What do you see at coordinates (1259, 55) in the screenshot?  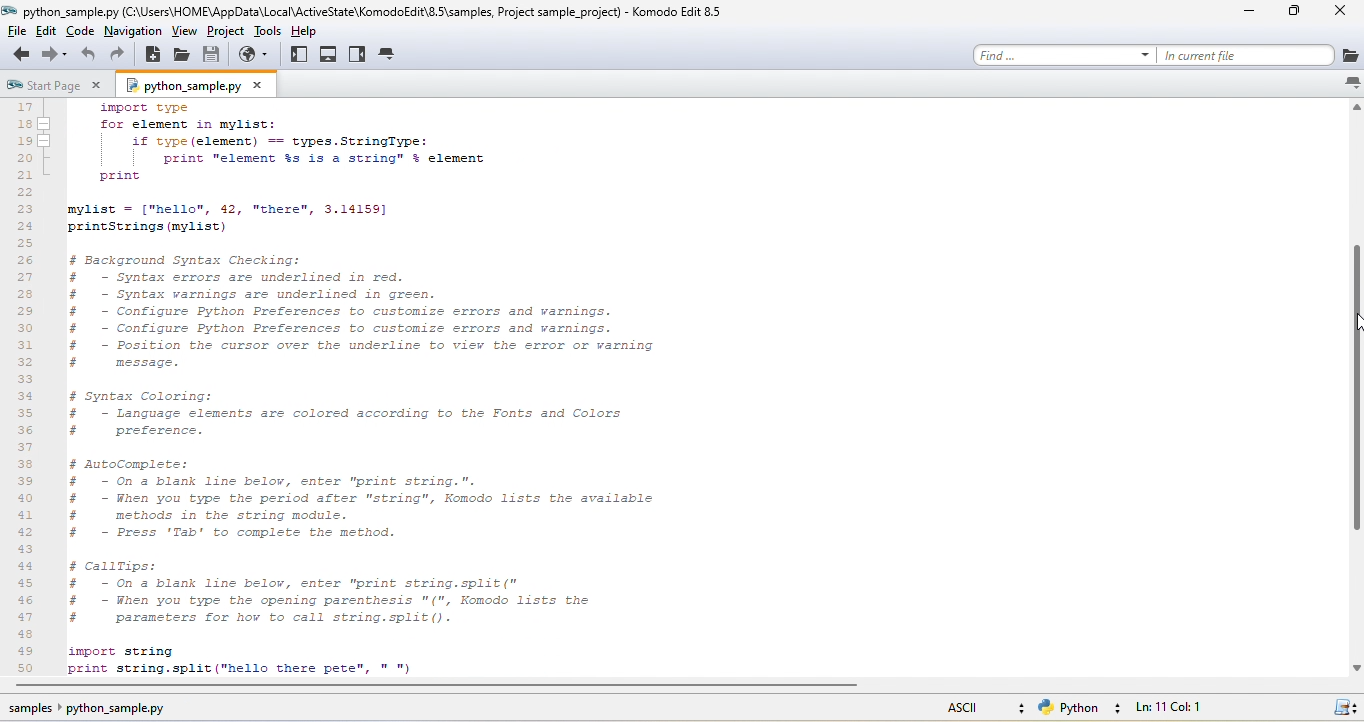 I see `in current file` at bounding box center [1259, 55].